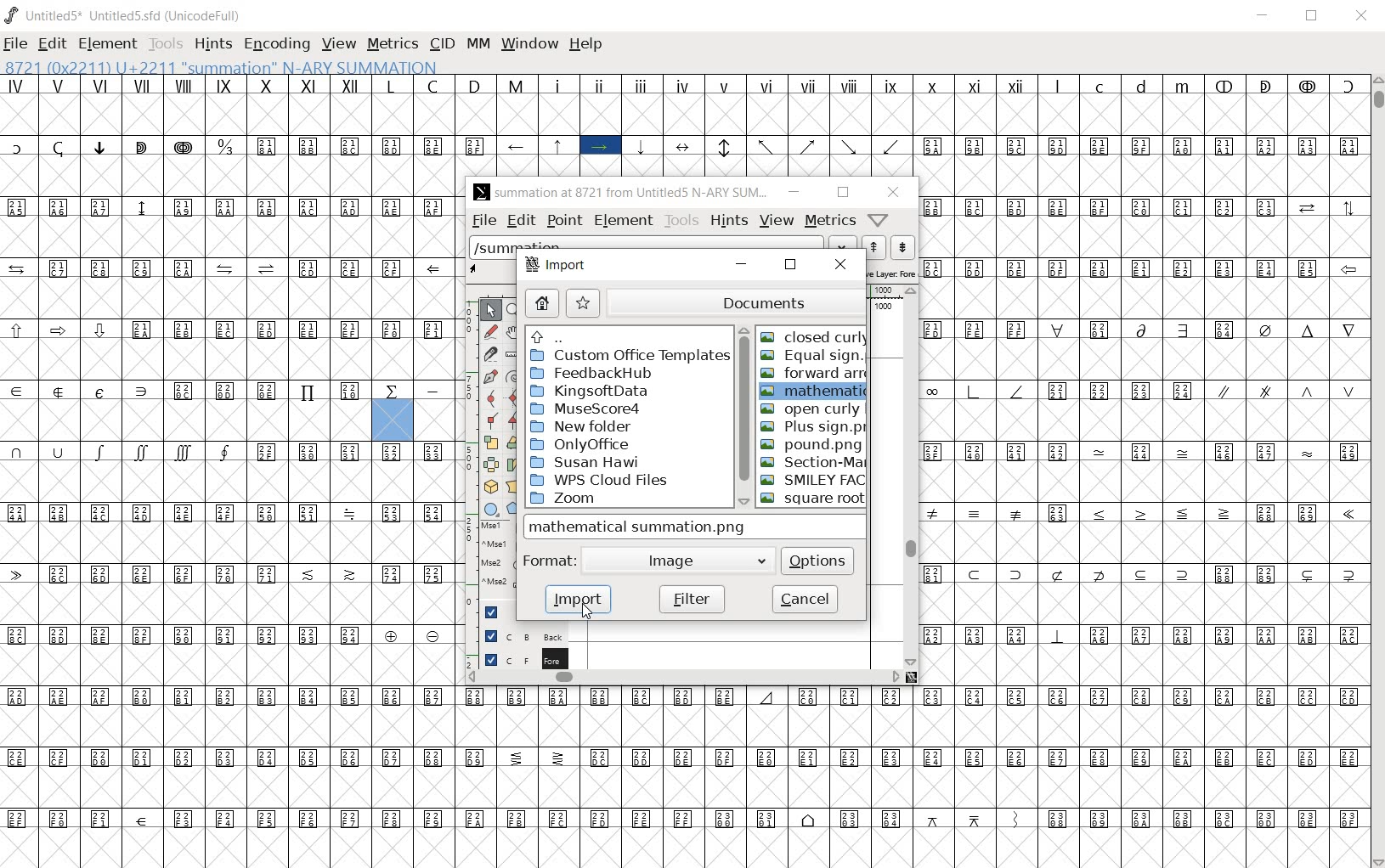 This screenshot has height=868, width=1385. Describe the element at coordinates (815, 480) in the screenshot. I see `SMILEY FACE` at that location.